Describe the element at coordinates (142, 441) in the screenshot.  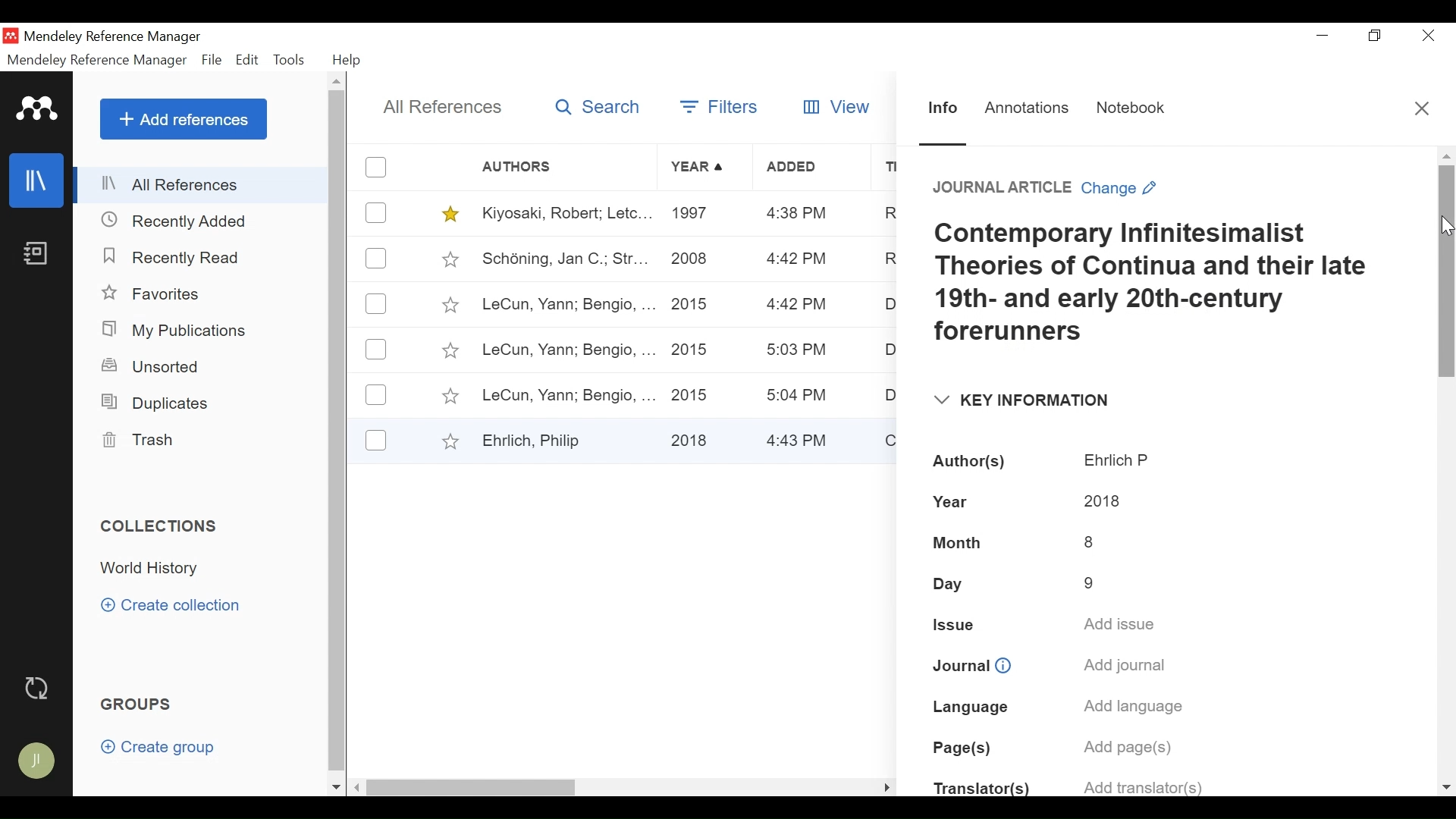
I see `Trash` at that location.